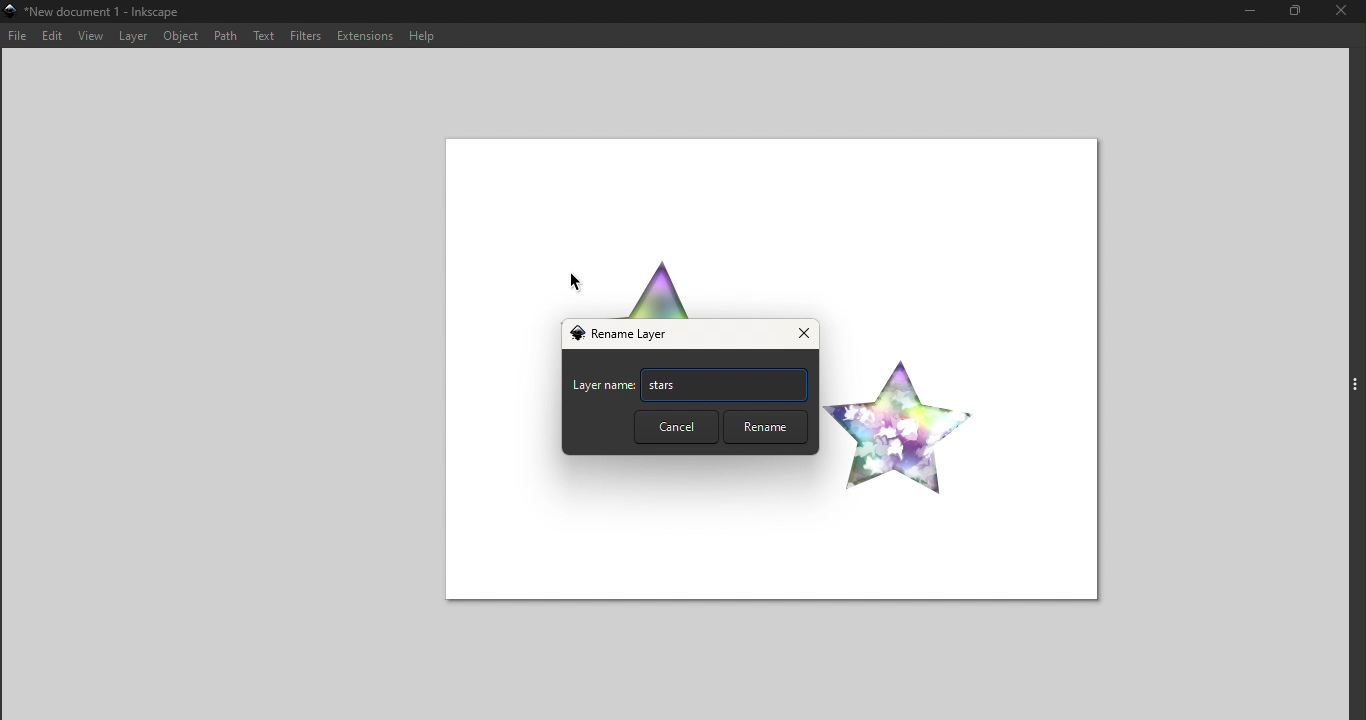 The height and width of the screenshot is (720, 1366). I want to click on layers, so click(129, 37).